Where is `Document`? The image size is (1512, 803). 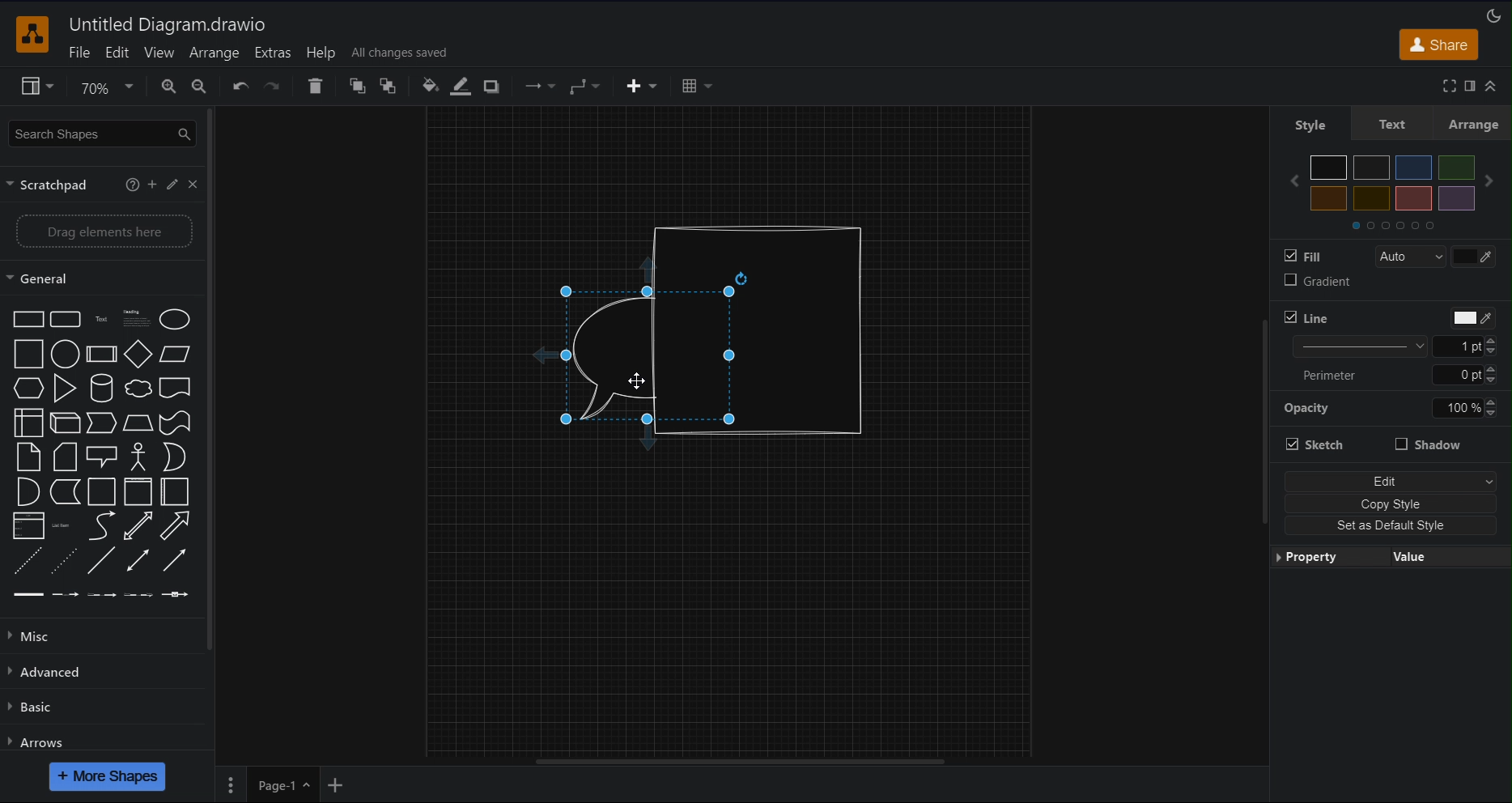 Document is located at coordinates (175, 389).